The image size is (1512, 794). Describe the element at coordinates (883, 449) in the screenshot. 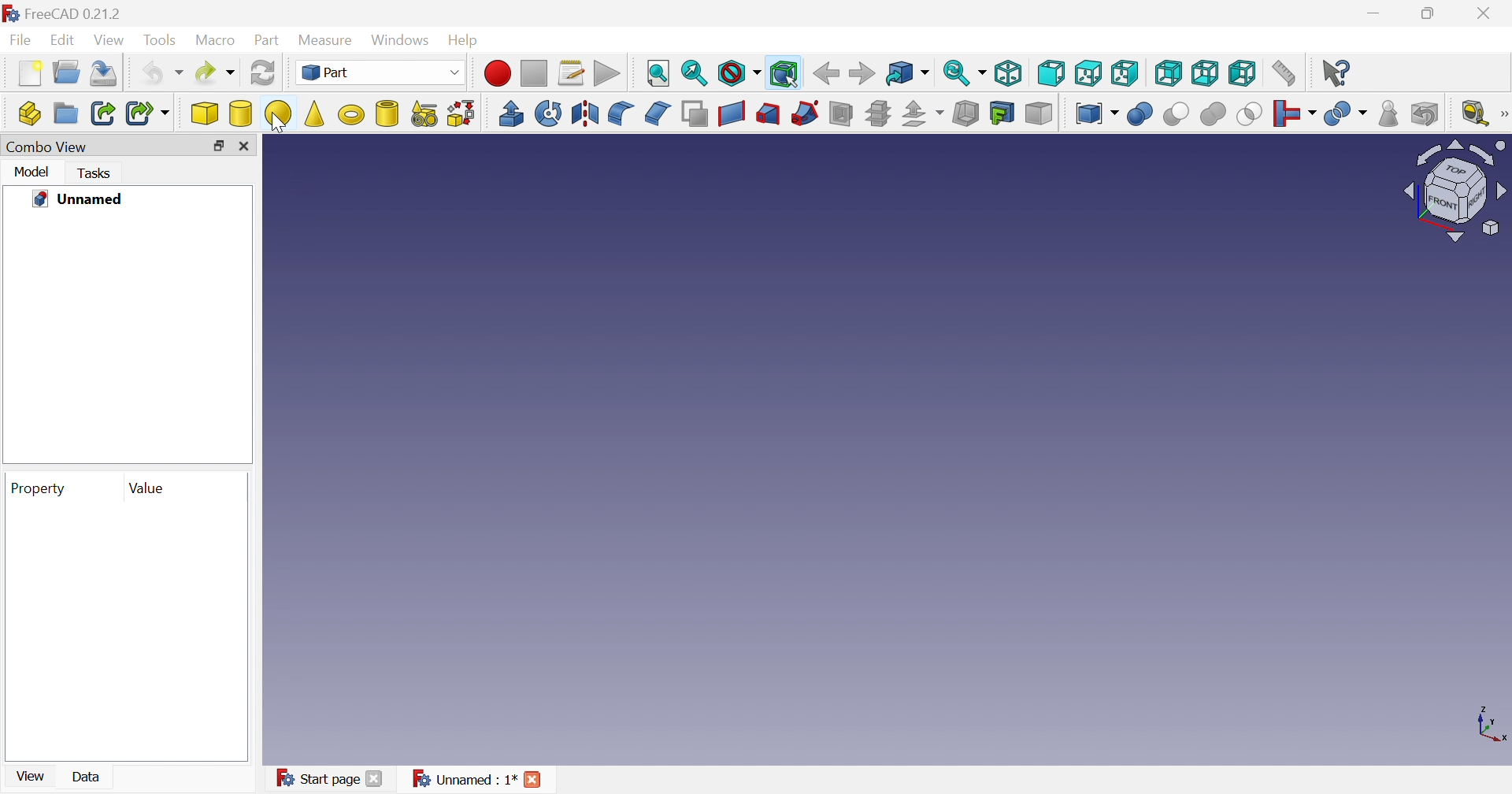

I see `canvas` at that location.